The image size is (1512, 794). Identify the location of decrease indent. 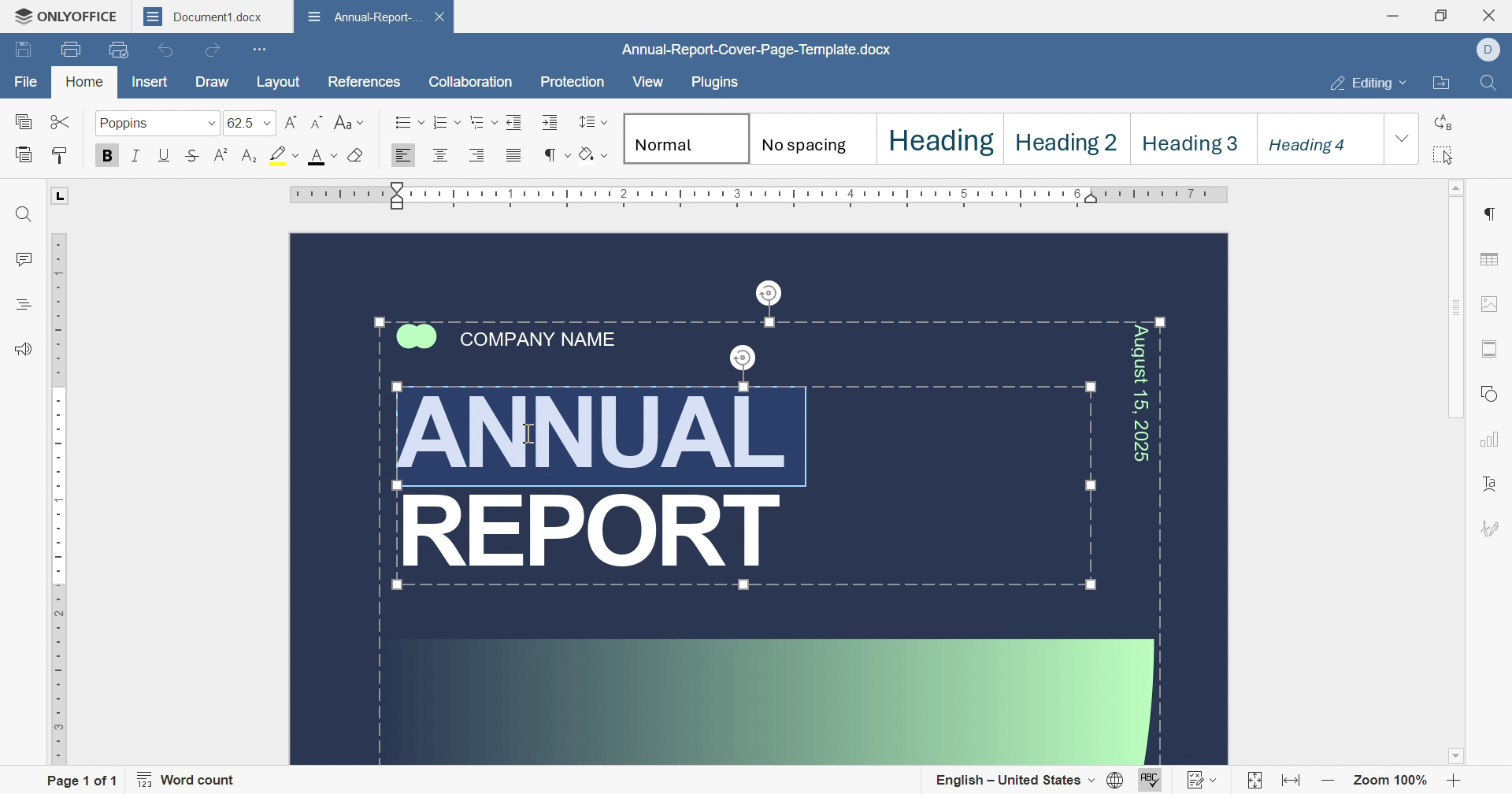
(513, 121).